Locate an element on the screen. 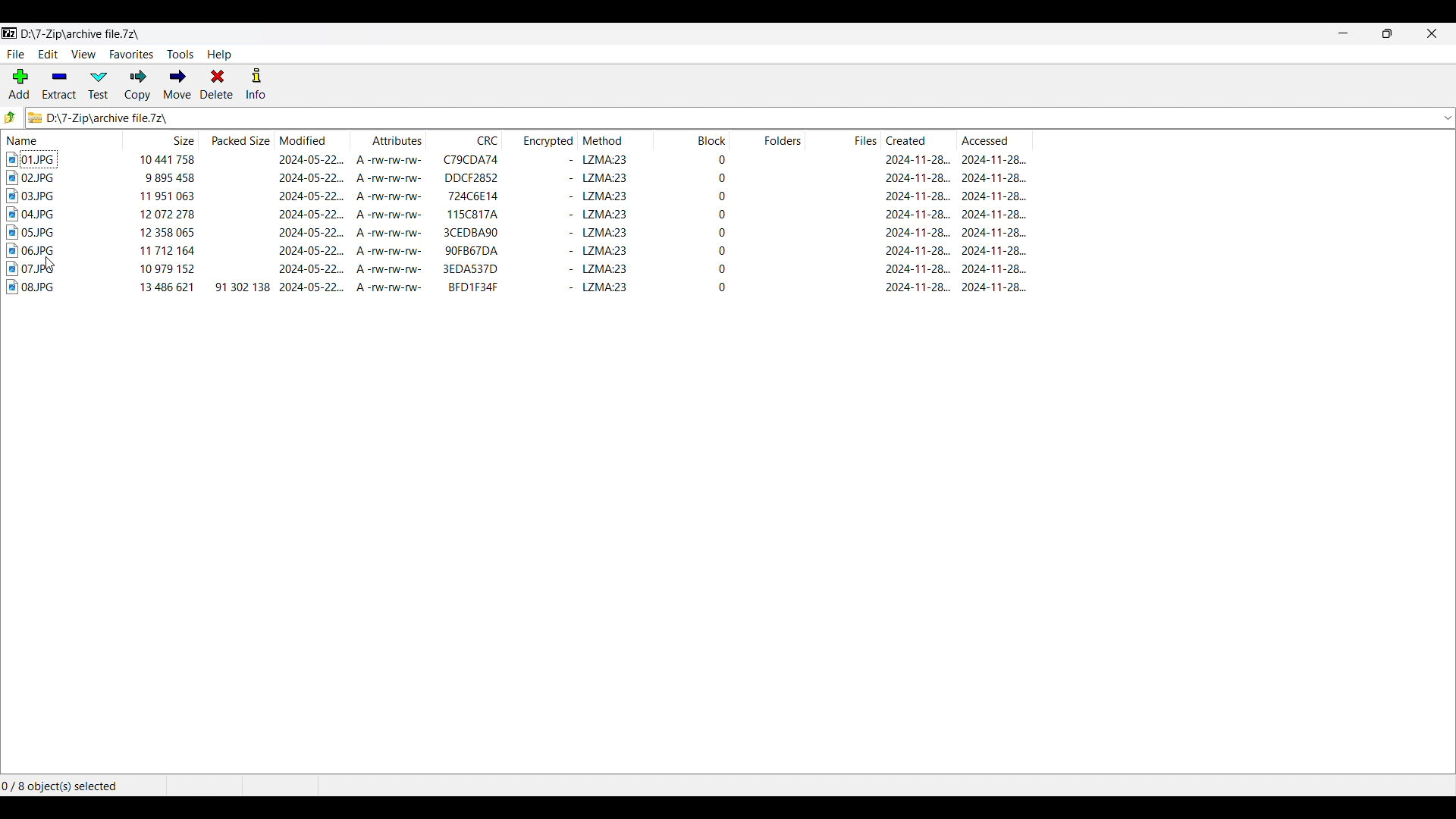 Image resolution: width=1456 pixels, height=819 pixels. attributes is located at coordinates (388, 214).